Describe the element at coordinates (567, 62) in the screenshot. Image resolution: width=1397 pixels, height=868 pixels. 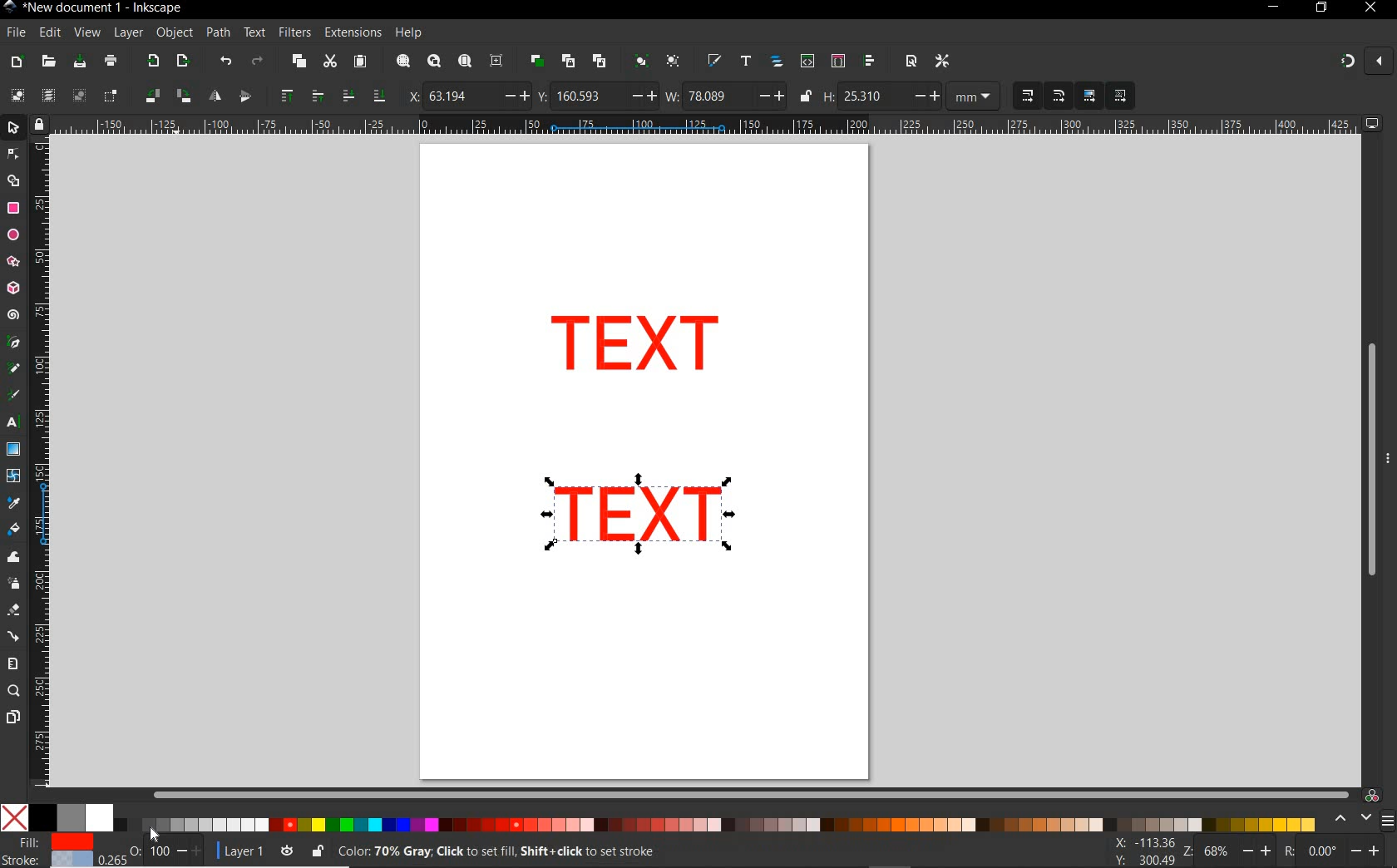
I see `create clone` at that location.